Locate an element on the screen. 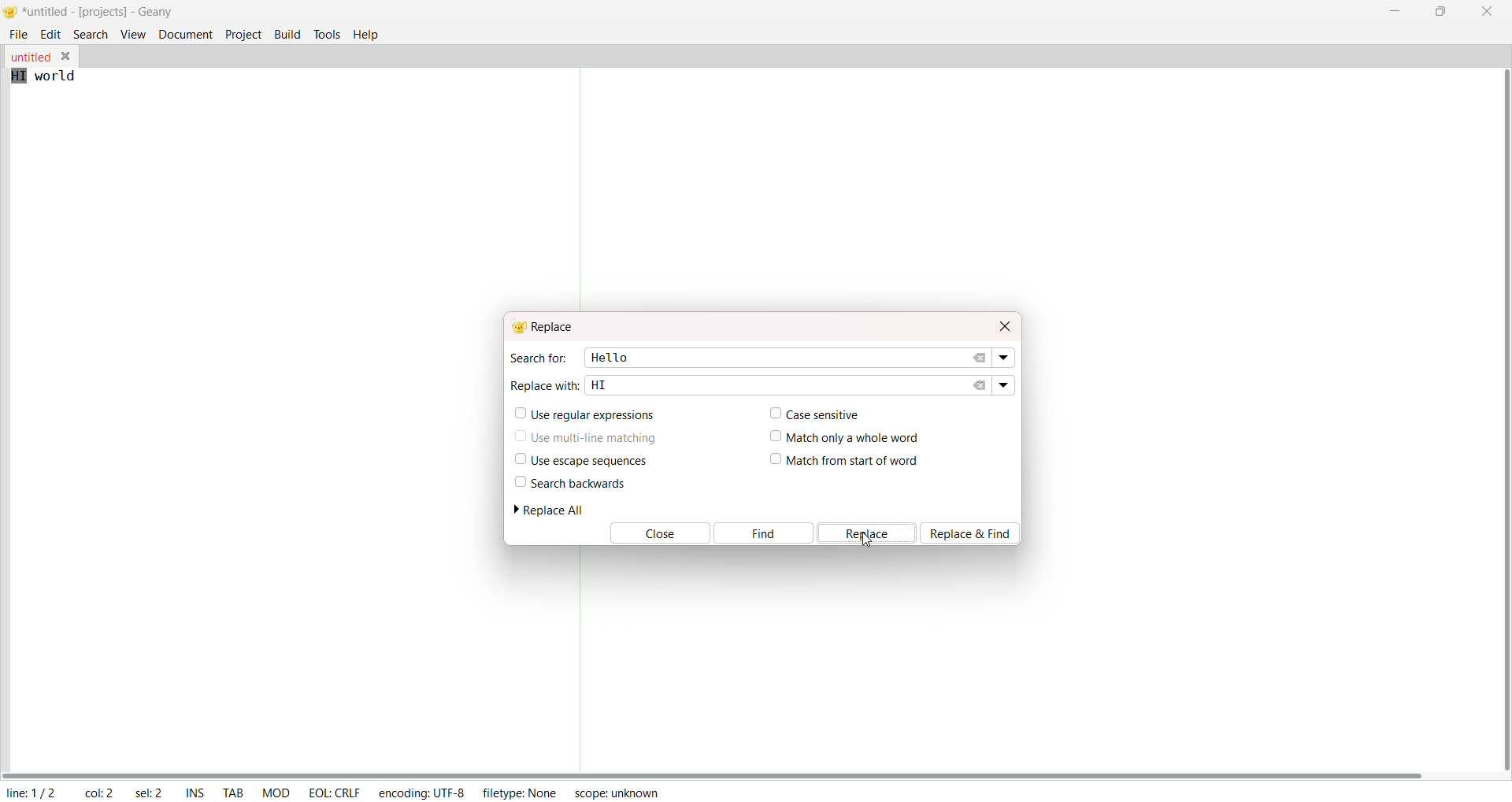  horizontal scroll bar is located at coordinates (715, 774).